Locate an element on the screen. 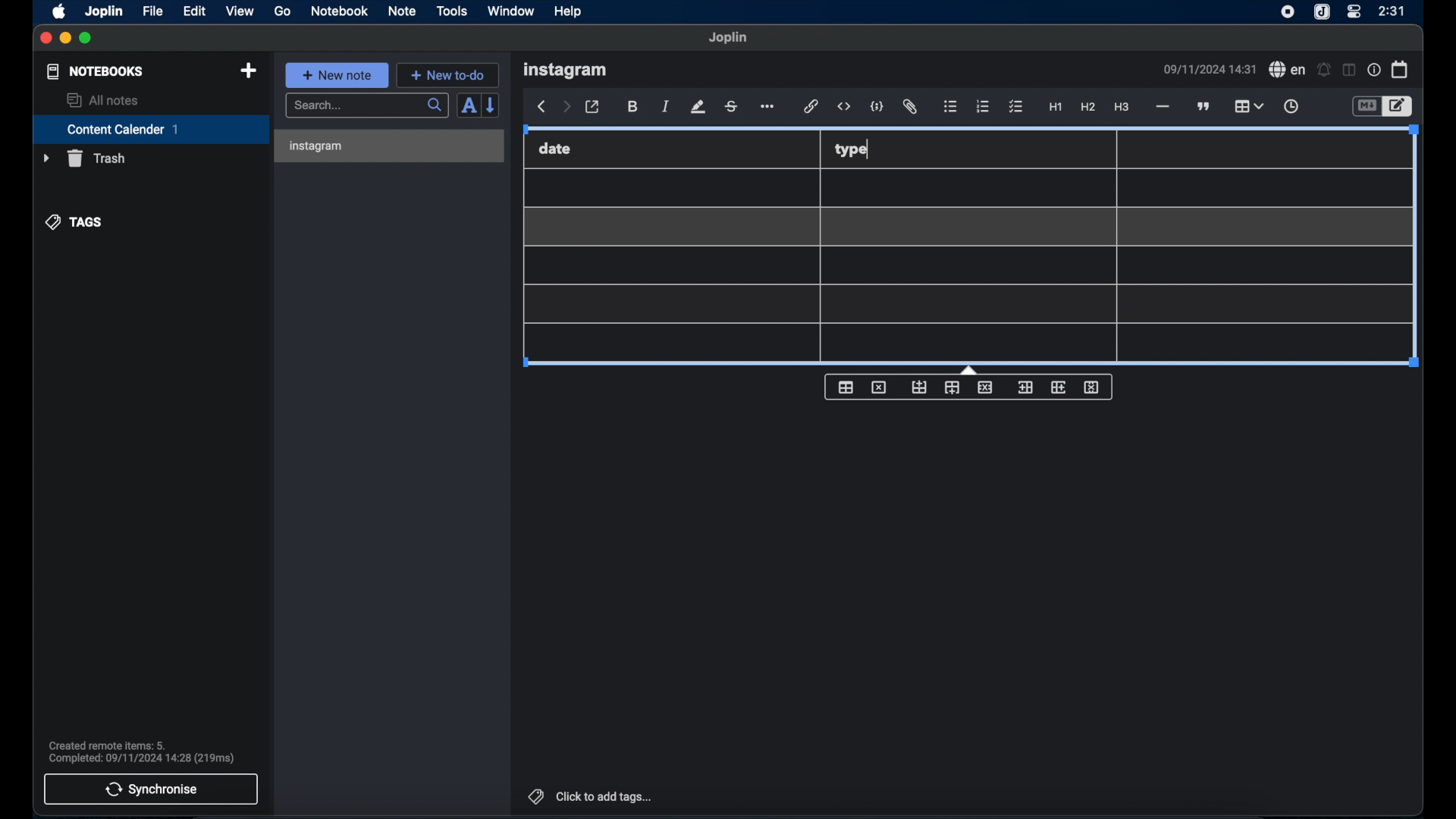 This screenshot has height=819, width=1456. insert column before is located at coordinates (1025, 388).